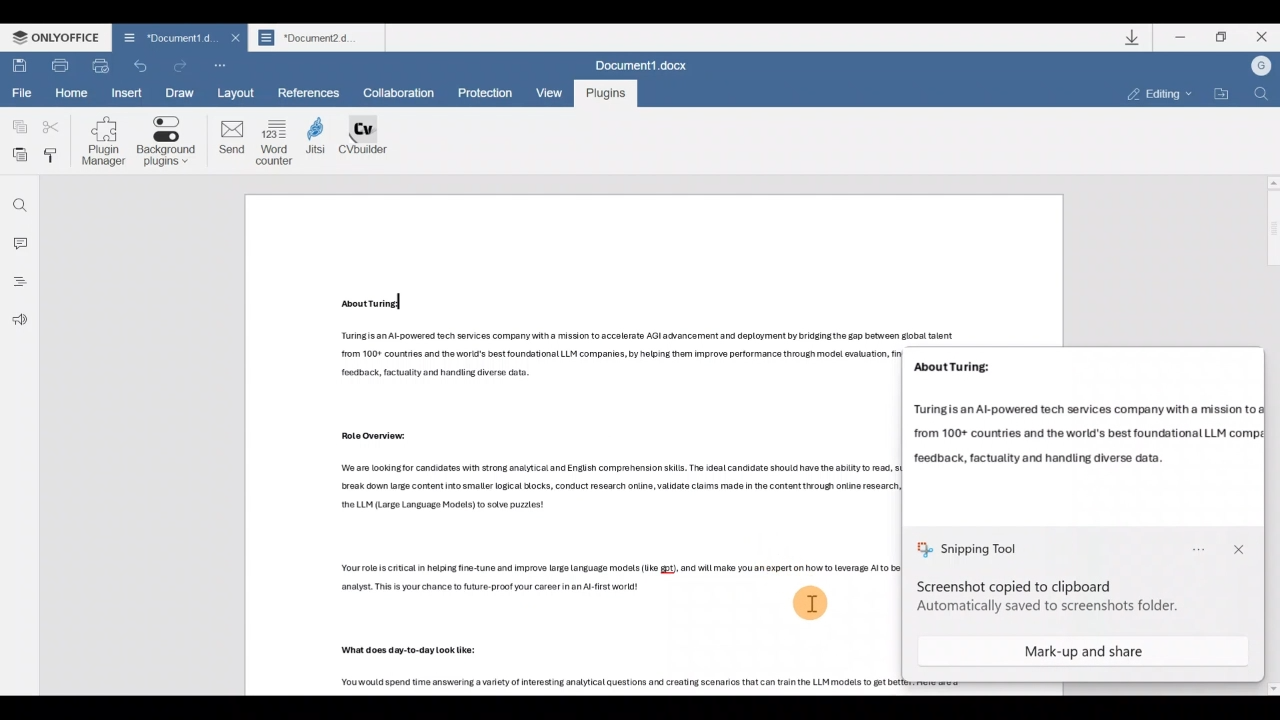 This screenshot has width=1280, height=720. Describe the element at coordinates (364, 139) in the screenshot. I see `CV builder` at that location.